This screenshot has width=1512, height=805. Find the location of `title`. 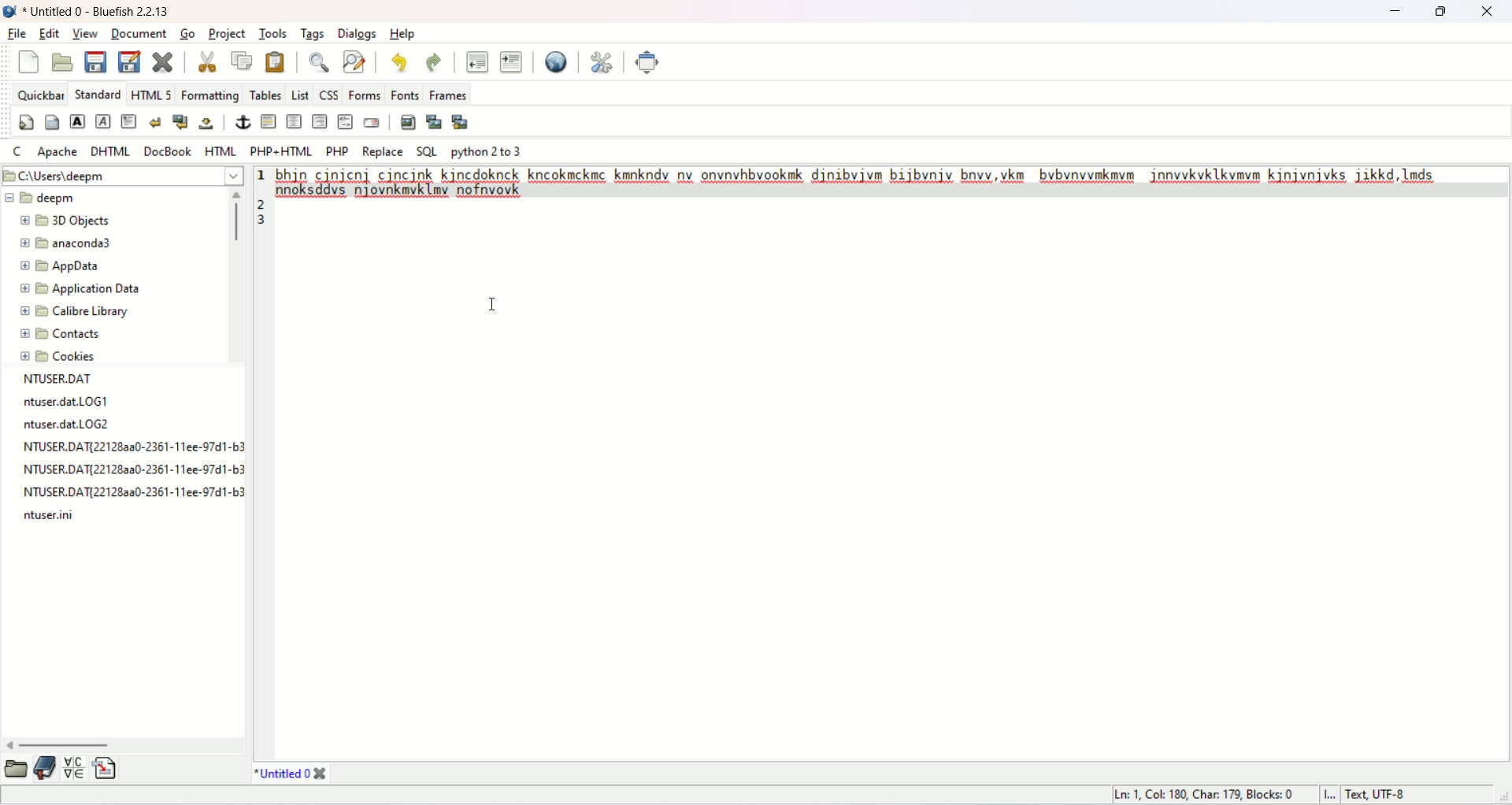

title is located at coordinates (102, 12).